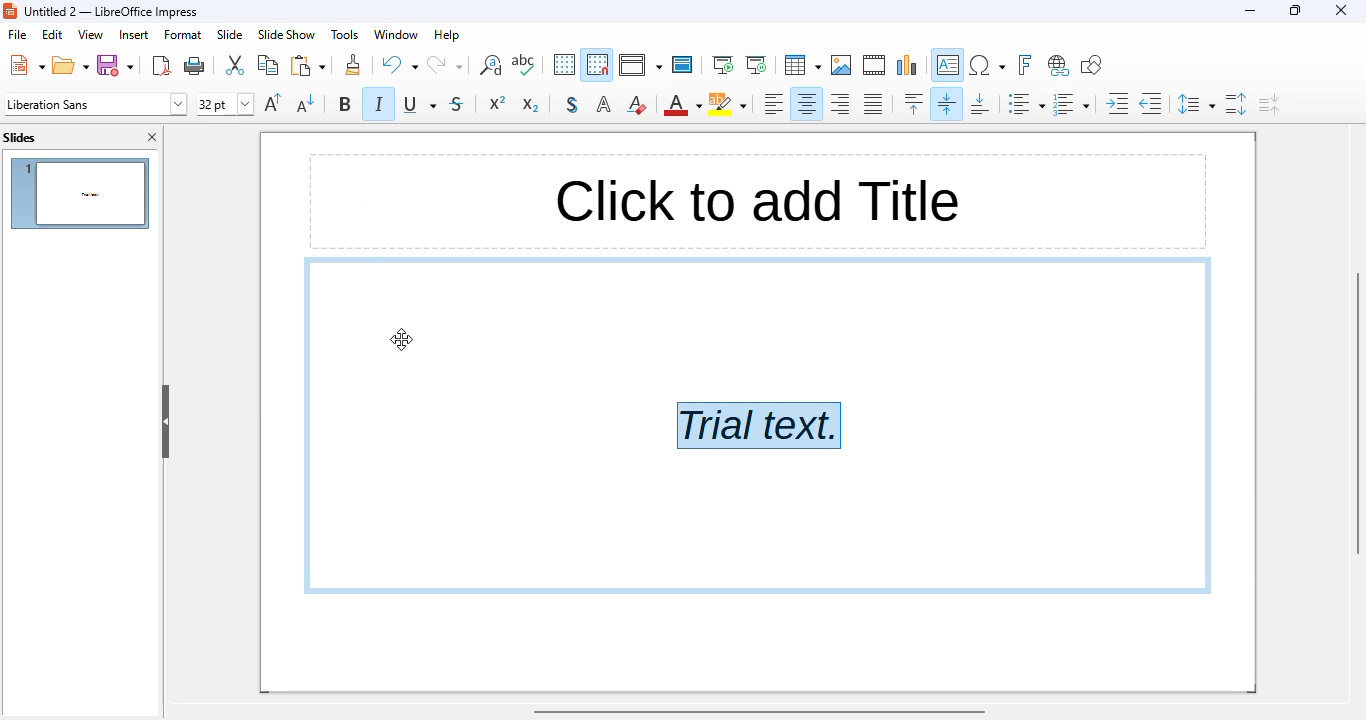 The width and height of the screenshot is (1366, 720). What do you see at coordinates (224, 104) in the screenshot?
I see `font size` at bounding box center [224, 104].